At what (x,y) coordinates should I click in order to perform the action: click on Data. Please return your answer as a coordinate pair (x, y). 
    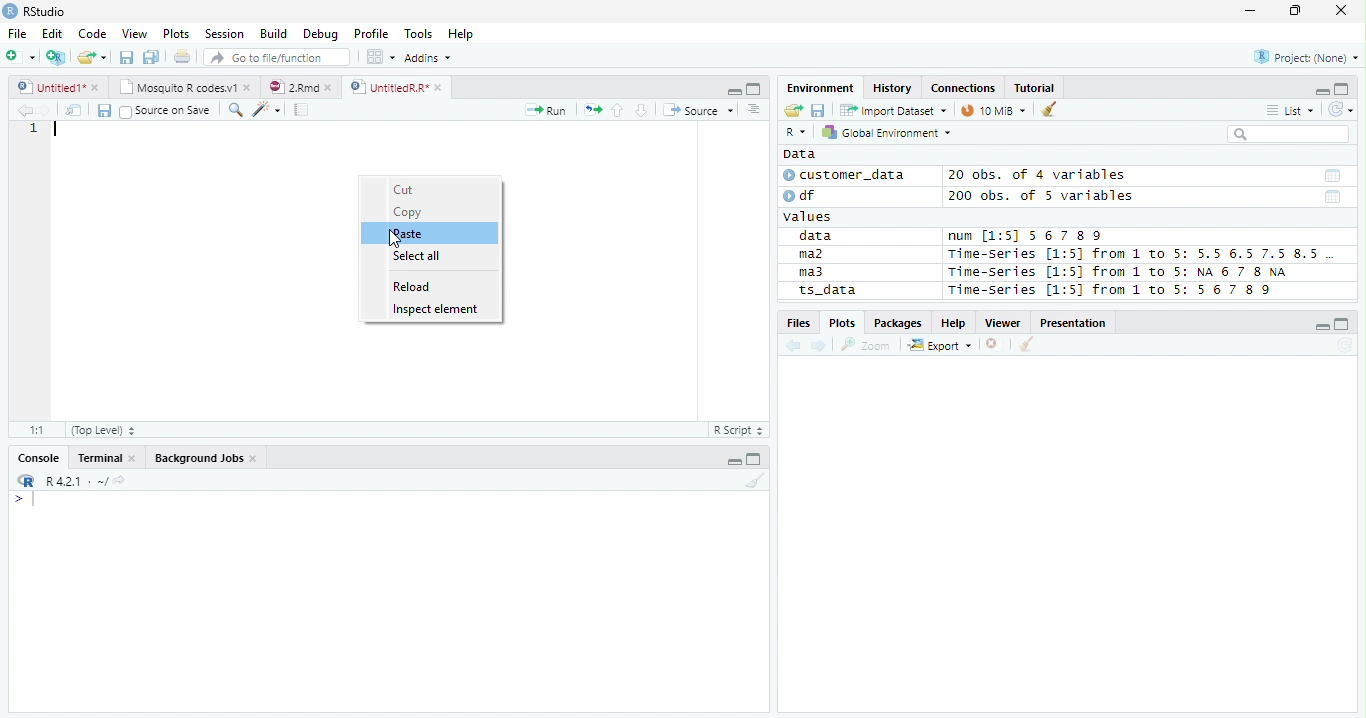
    Looking at the image, I should click on (799, 154).